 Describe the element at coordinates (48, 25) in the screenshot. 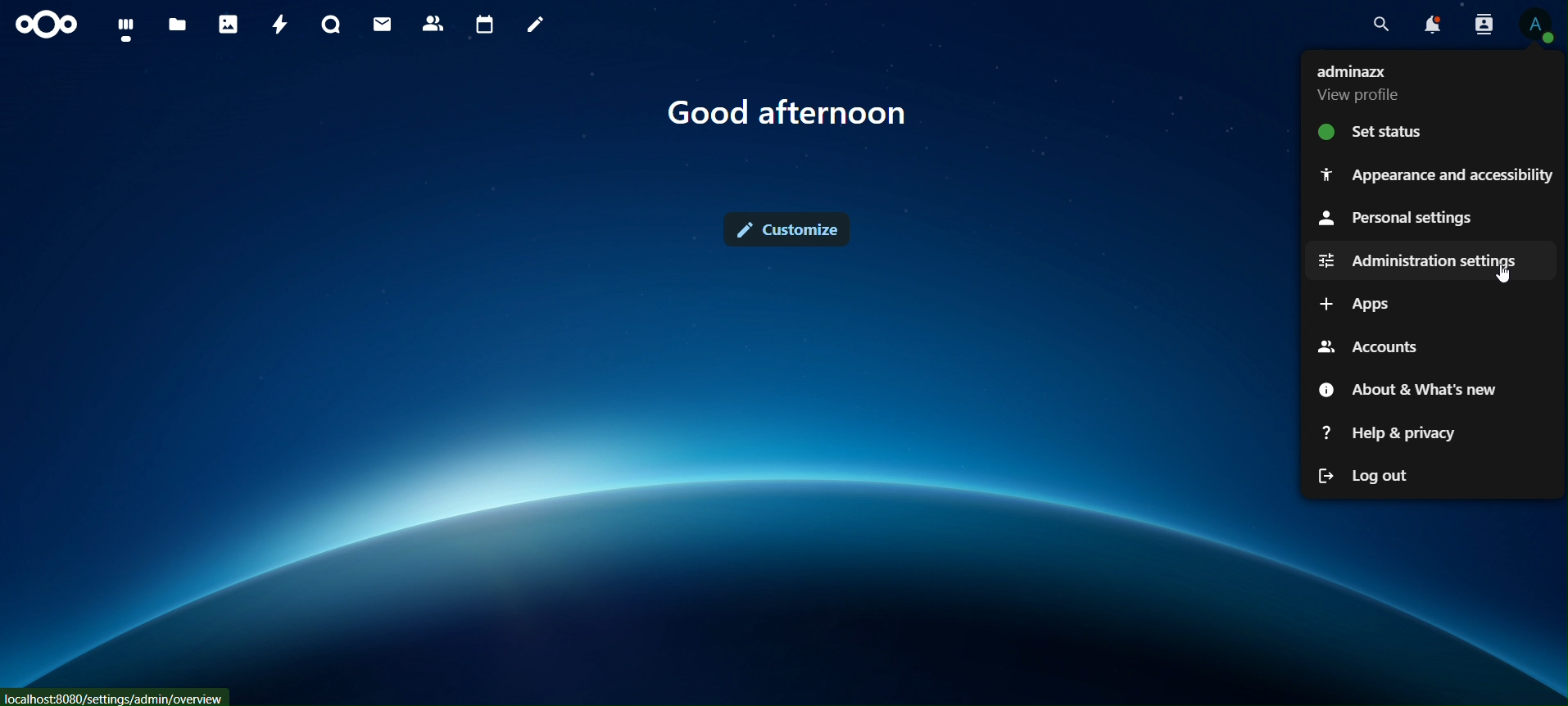

I see `icon` at that location.